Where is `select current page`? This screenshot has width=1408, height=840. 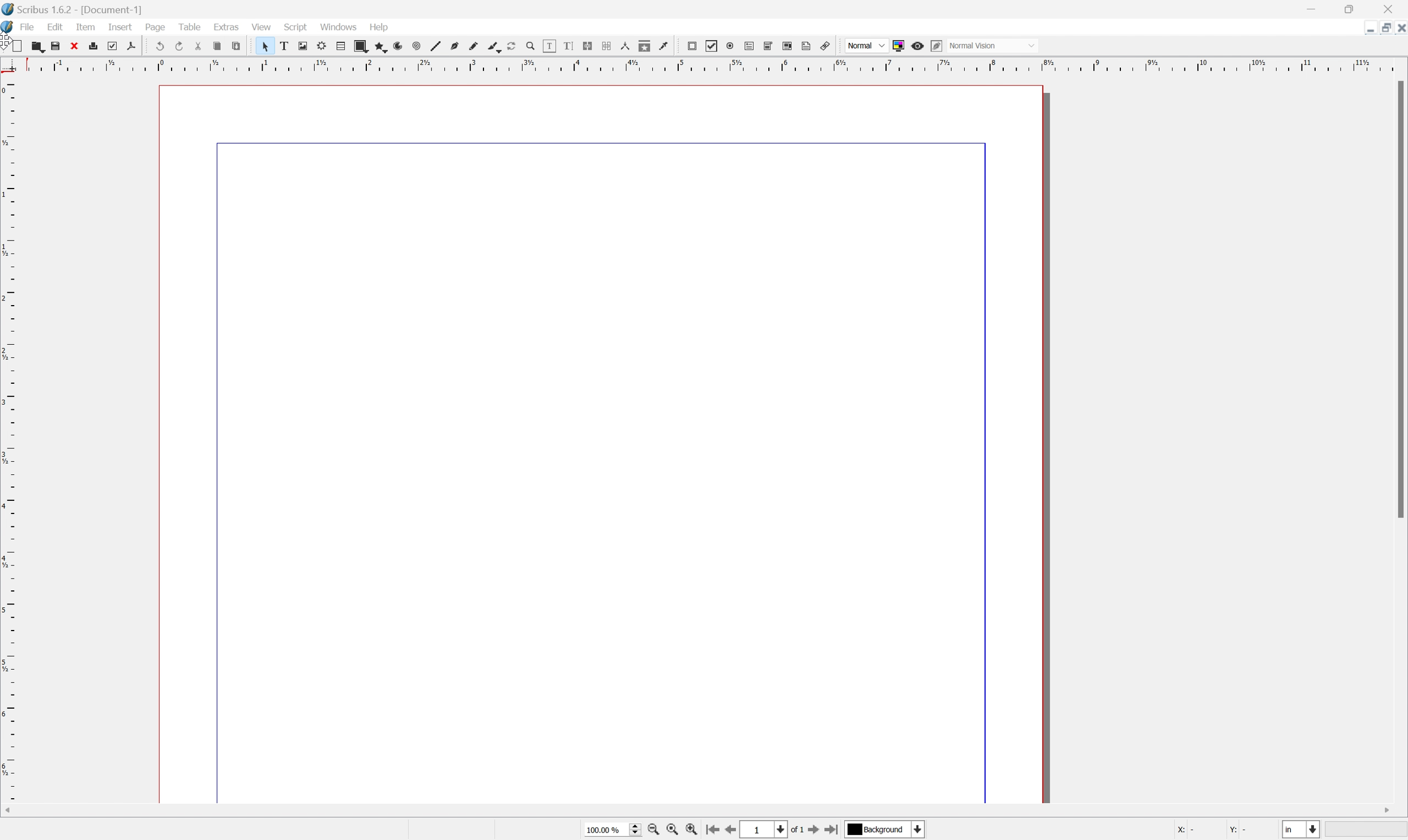
select current page is located at coordinates (770, 830).